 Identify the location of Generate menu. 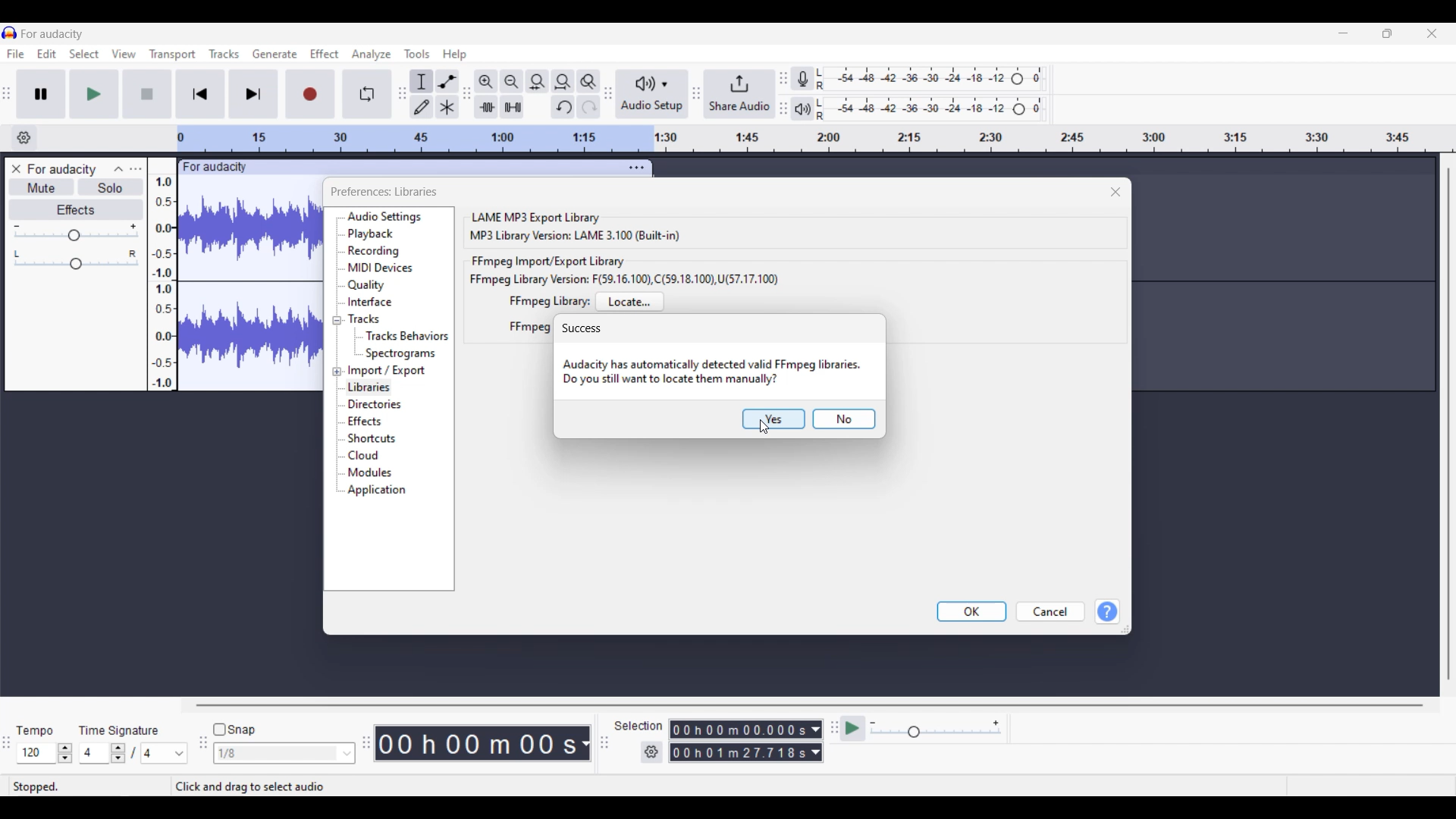
(275, 54).